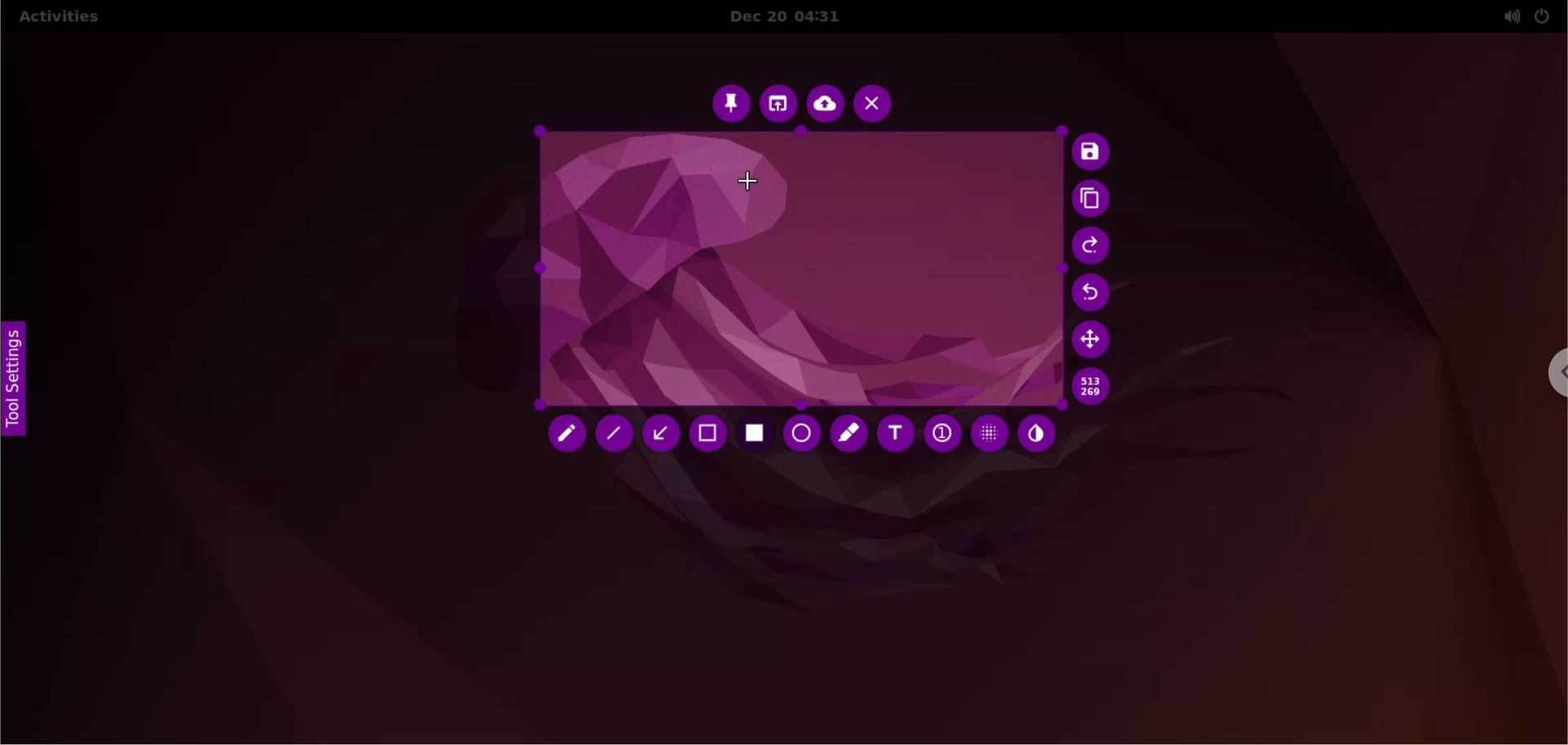 The width and height of the screenshot is (1568, 745). Describe the element at coordinates (1094, 200) in the screenshot. I see `copy to clipboard` at that location.